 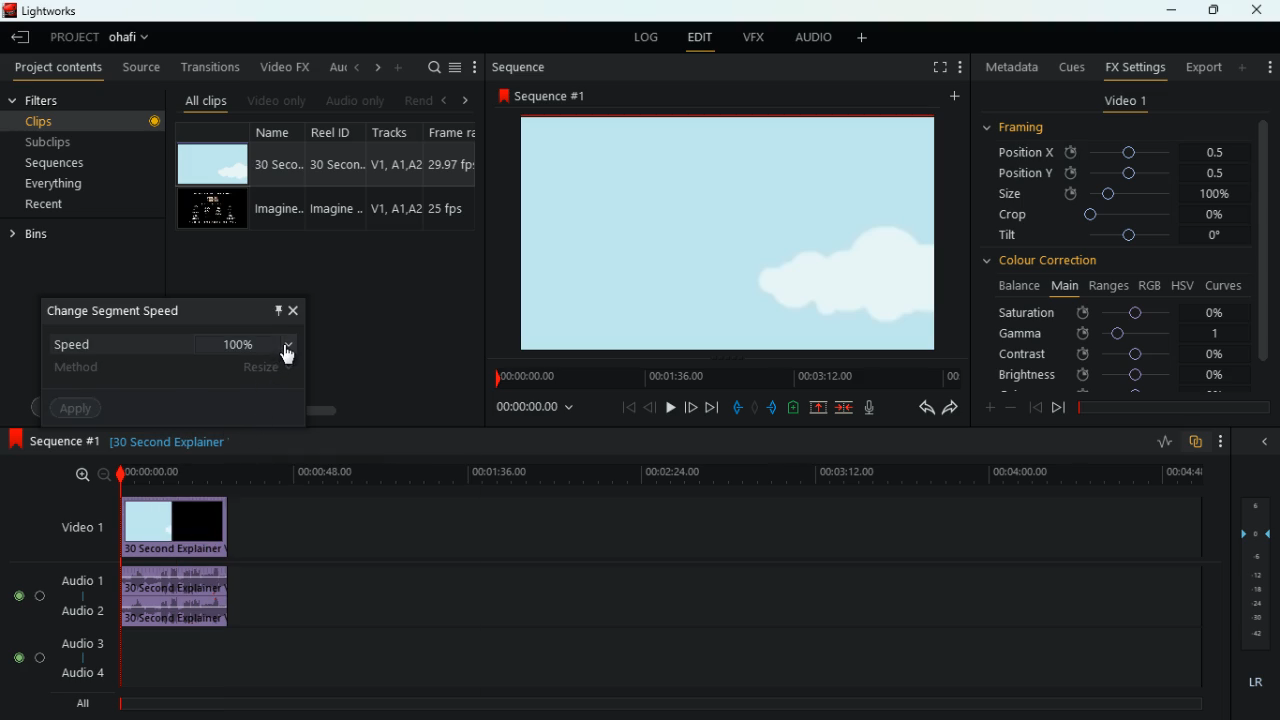 I want to click on lightworks, so click(x=65, y=10).